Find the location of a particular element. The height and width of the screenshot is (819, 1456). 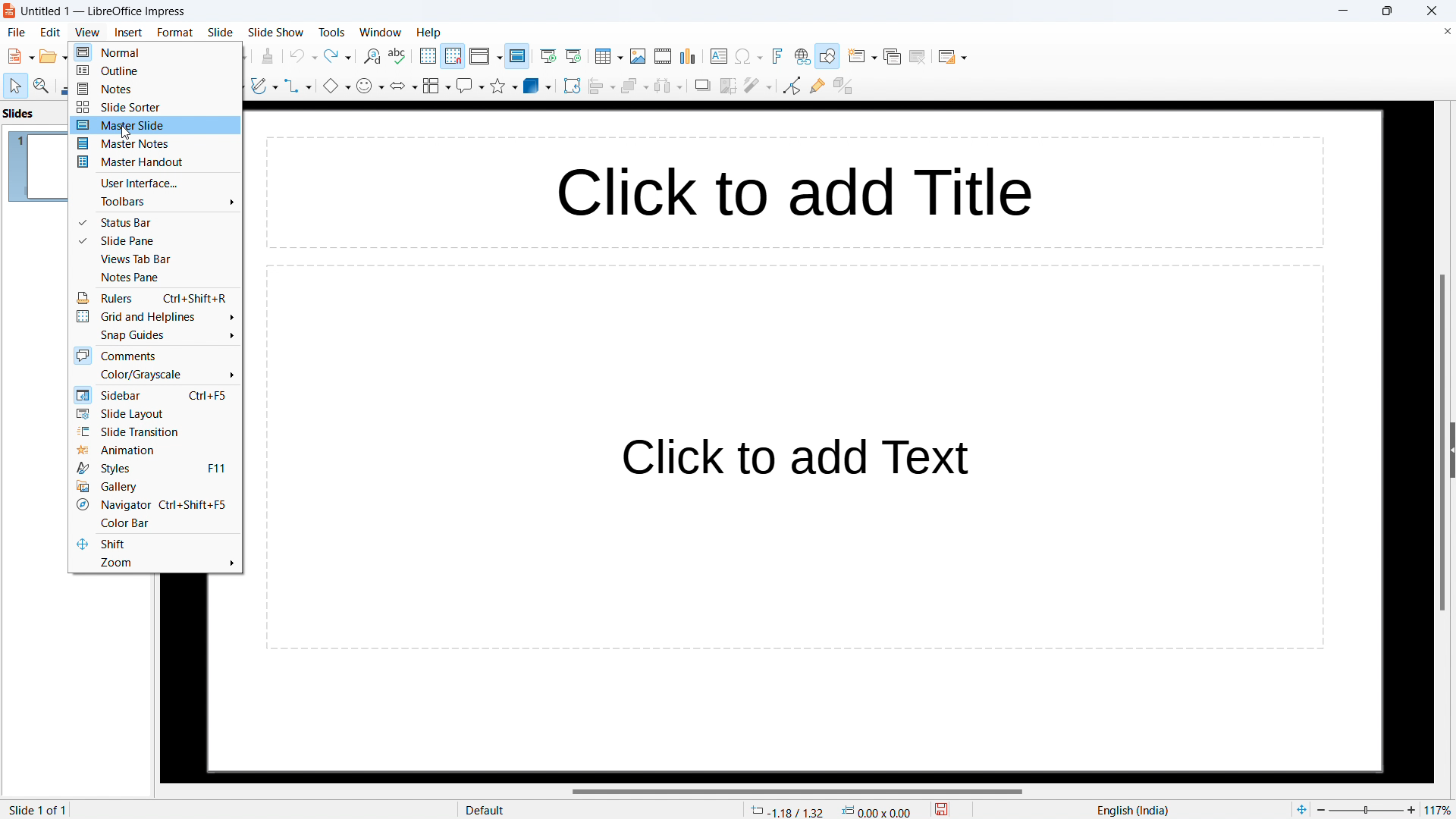

insert table is located at coordinates (609, 56).